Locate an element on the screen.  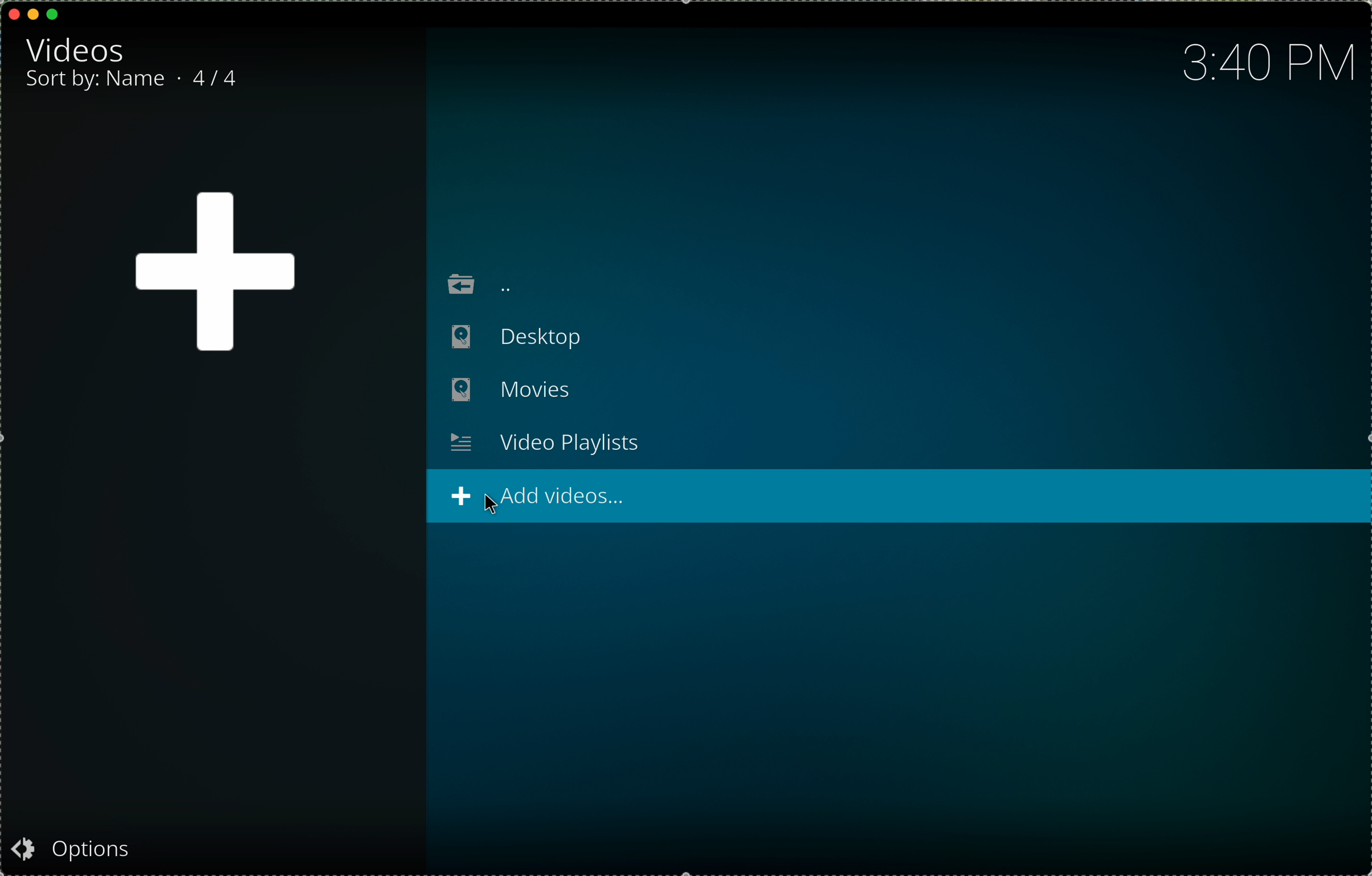
sort by is located at coordinates (101, 80).